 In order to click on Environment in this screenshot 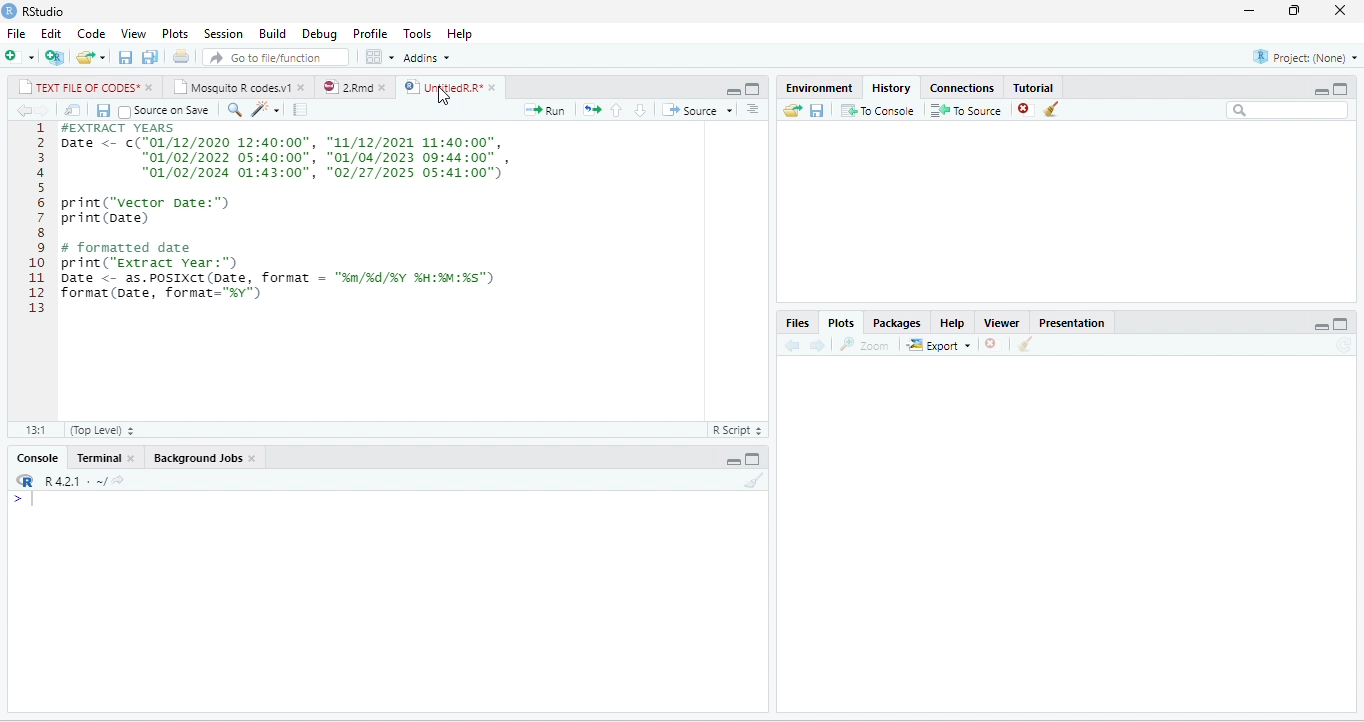, I will do `click(820, 88)`.